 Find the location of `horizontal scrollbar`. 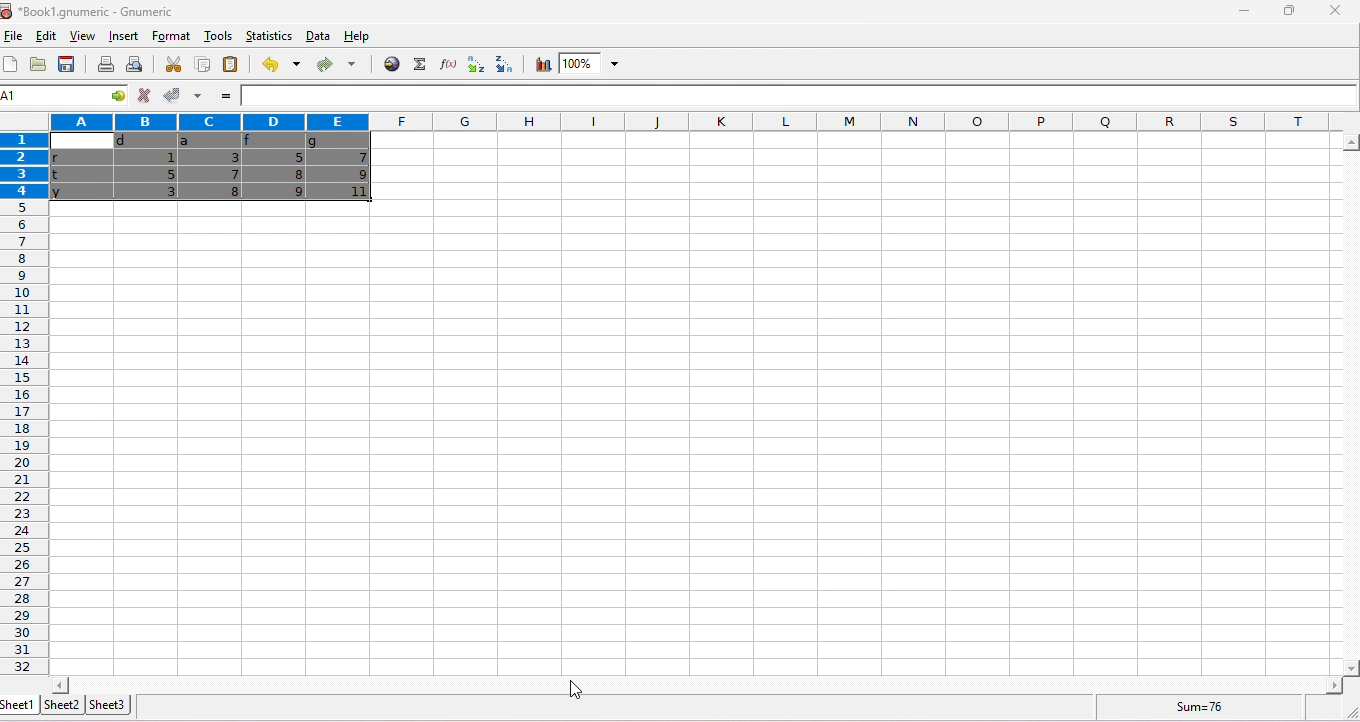

horizontal scrollbar is located at coordinates (1350, 406).